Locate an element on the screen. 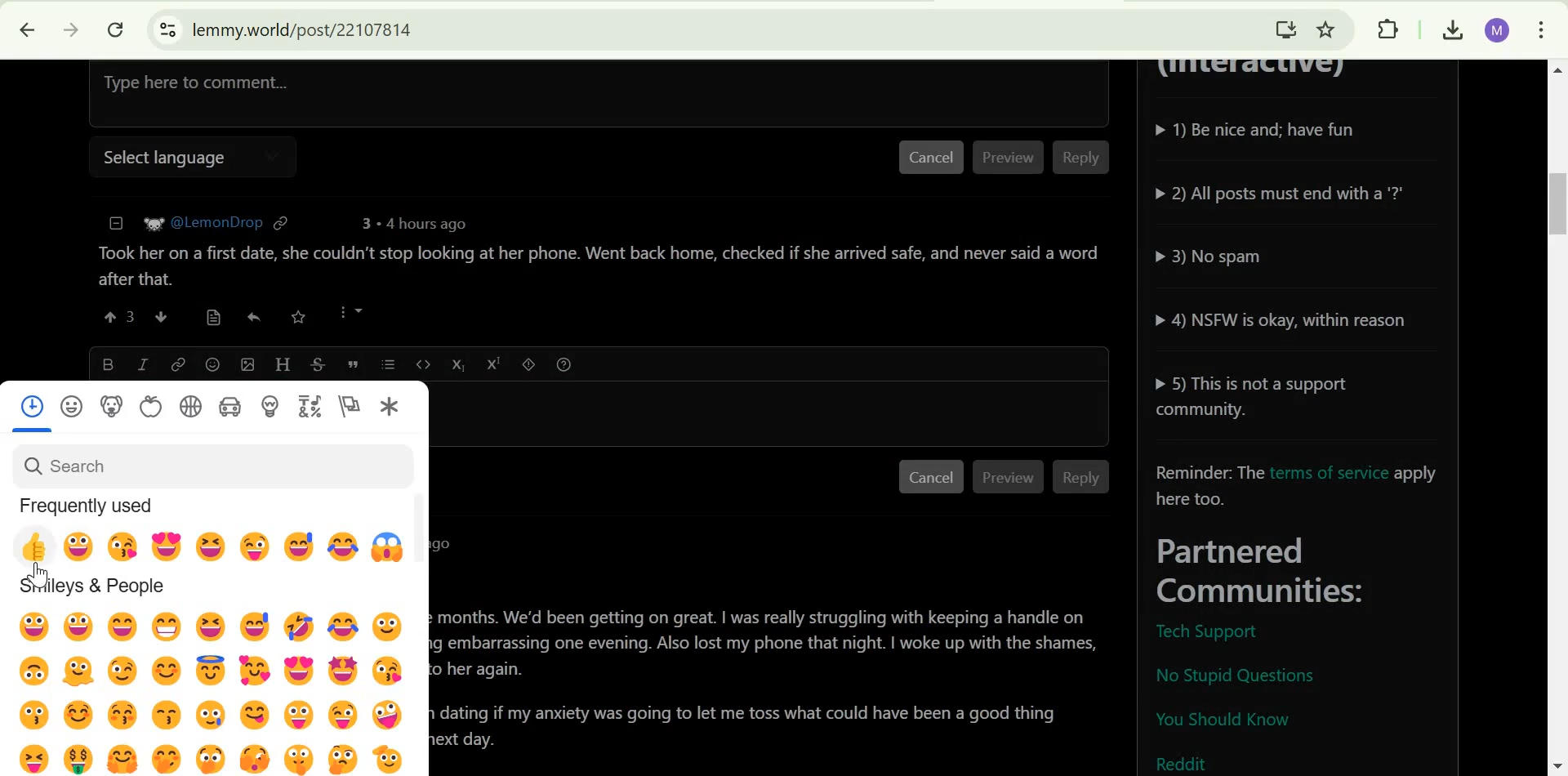 This screenshot has width=1568, height=776. Reddit is located at coordinates (1183, 761).